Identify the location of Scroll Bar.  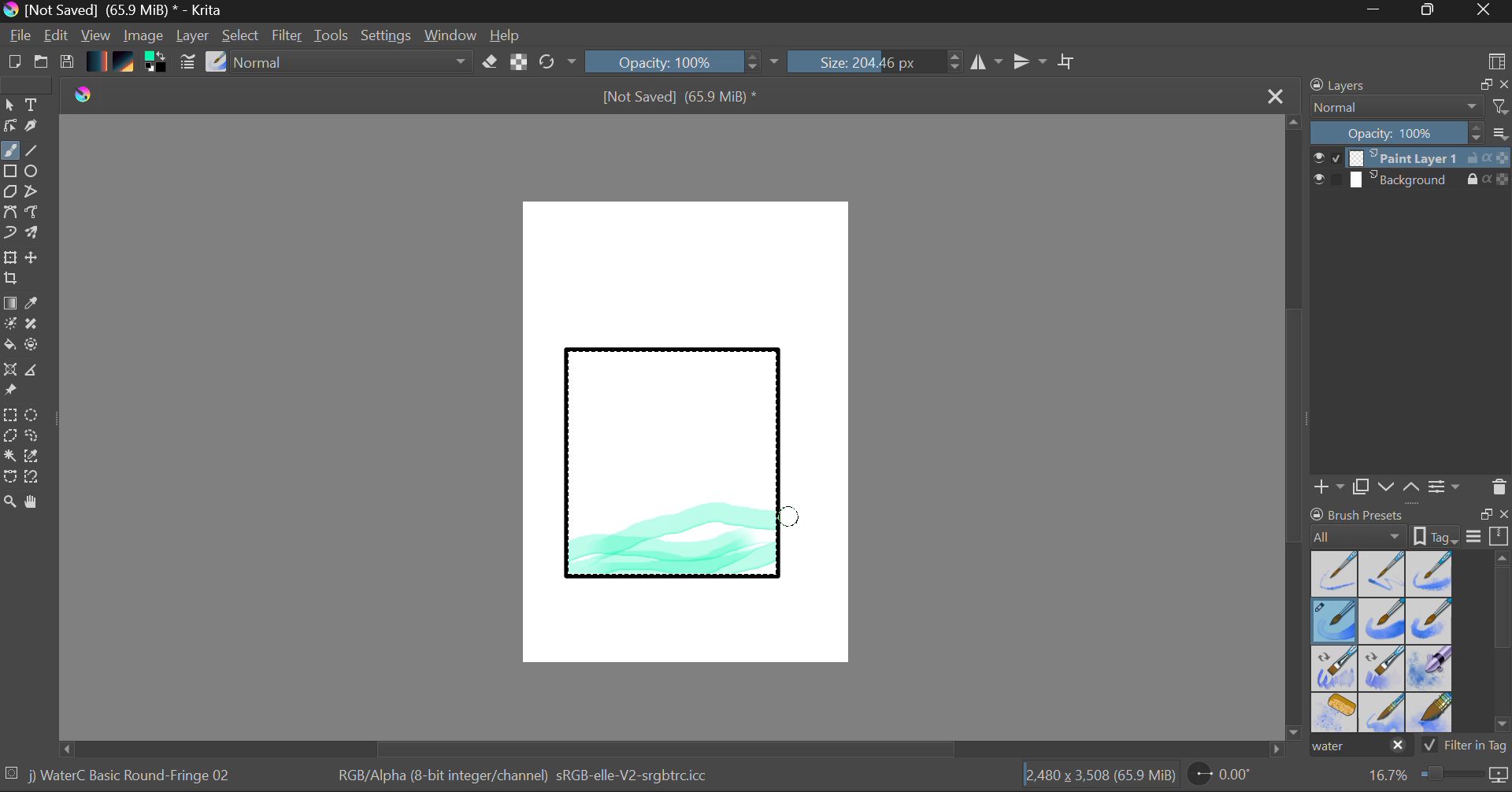
(673, 749).